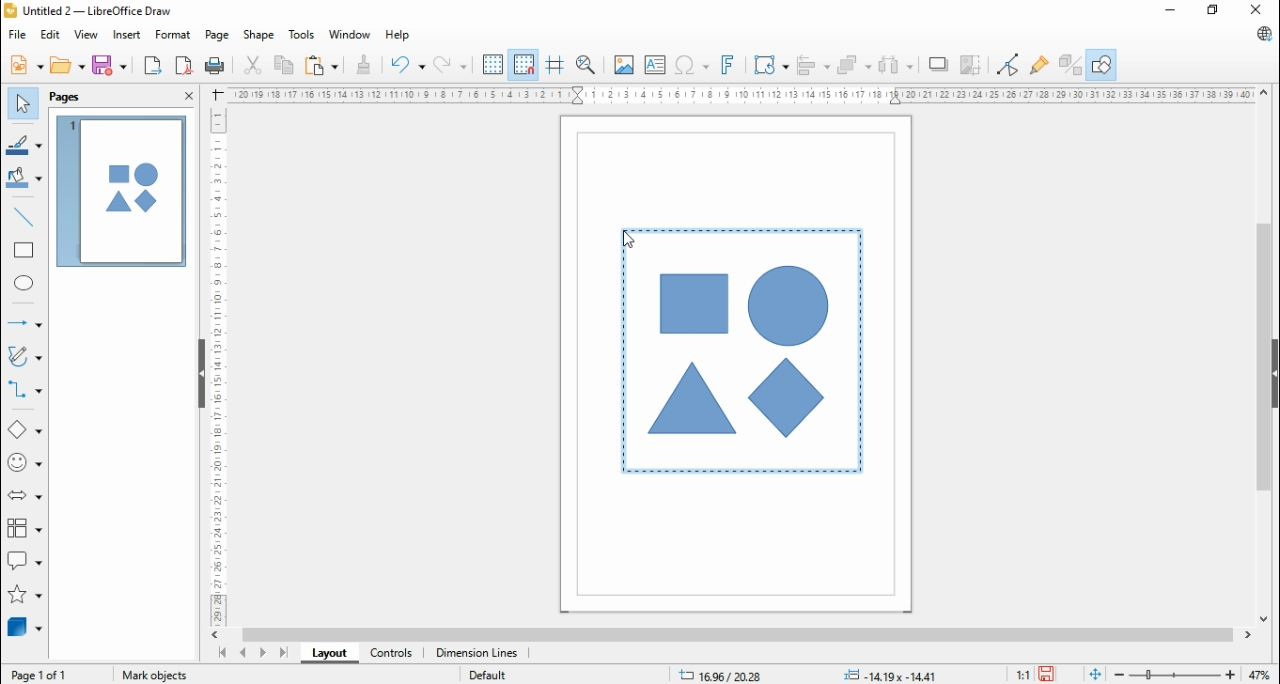 Image resolution: width=1280 pixels, height=684 pixels. I want to click on shape 4, so click(789, 399).